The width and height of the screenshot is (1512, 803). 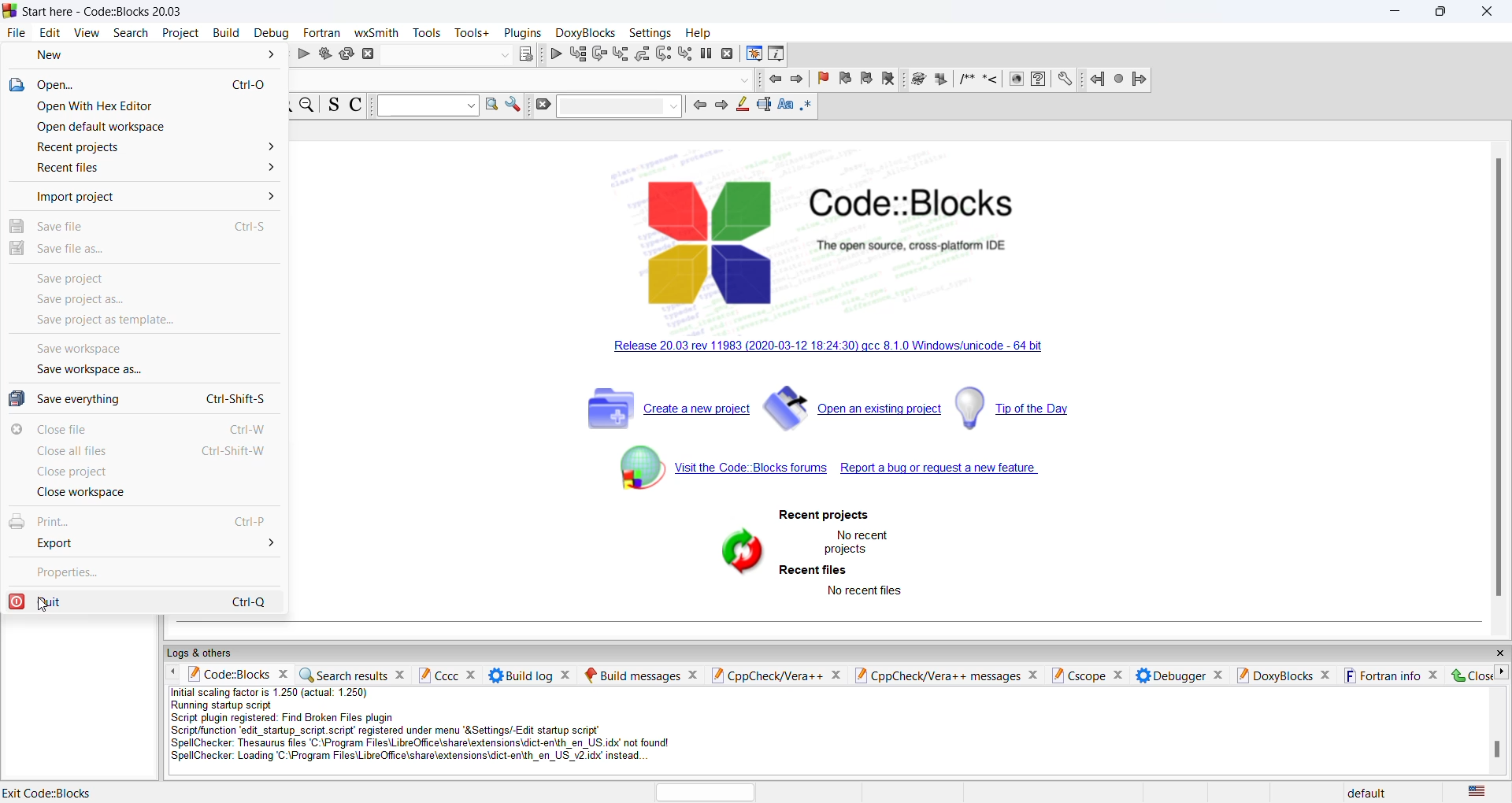 What do you see at coordinates (19, 601) in the screenshot?
I see `quit icon` at bounding box center [19, 601].